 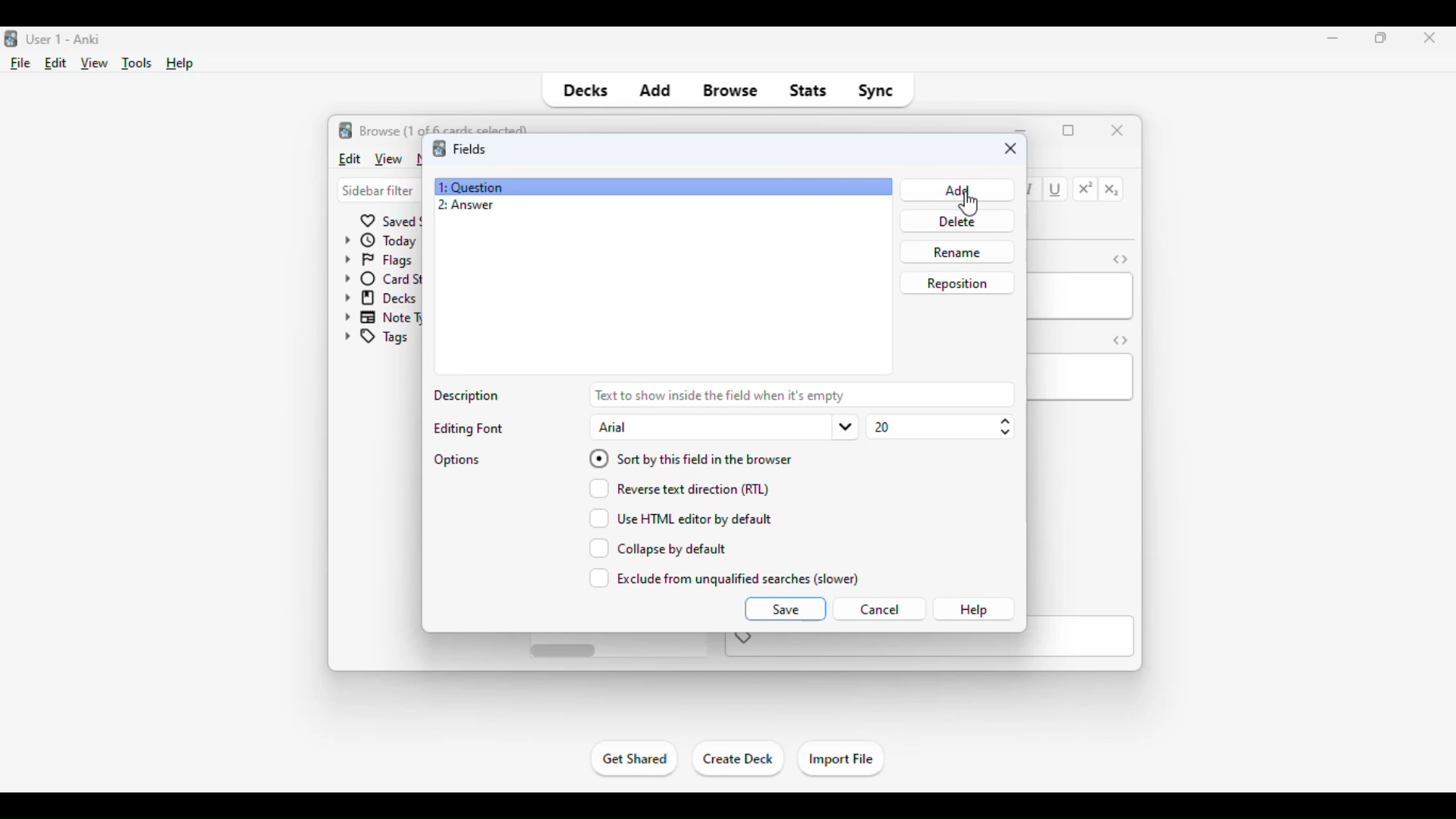 What do you see at coordinates (731, 91) in the screenshot?
I see `browse` at bounding box center [731, 91].